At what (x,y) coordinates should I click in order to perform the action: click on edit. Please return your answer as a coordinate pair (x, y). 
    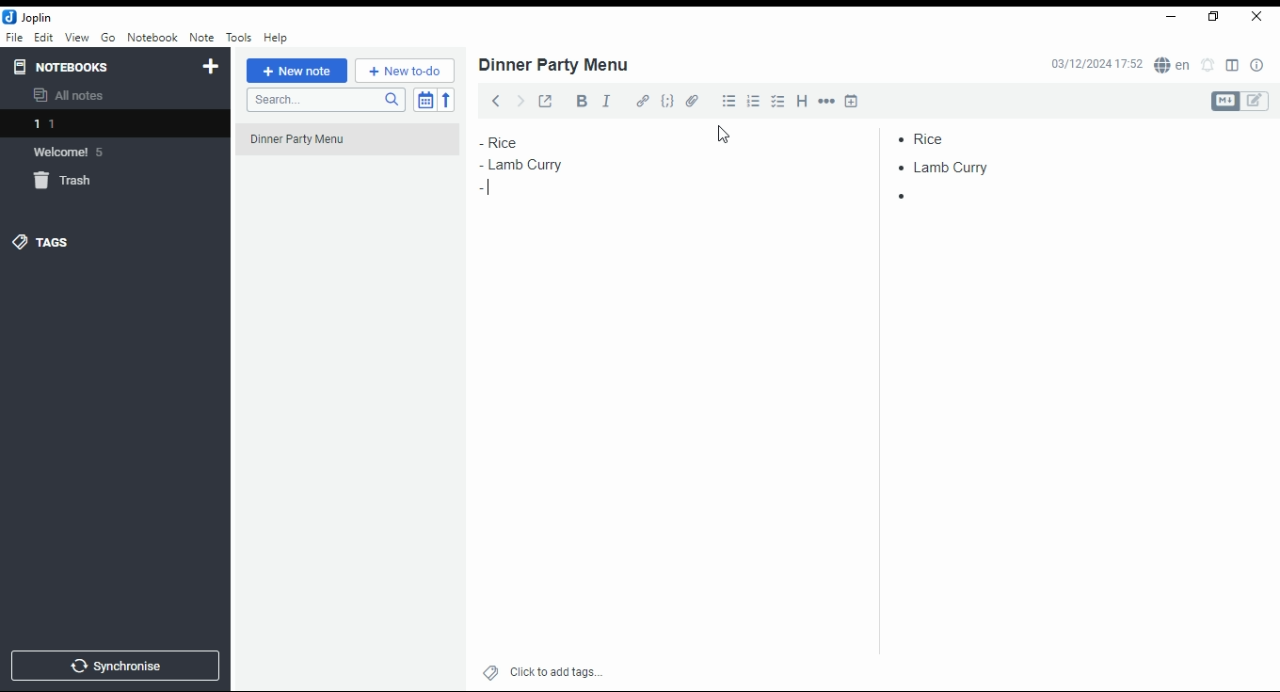
    Looking at the image, I should click on (1257, 101).